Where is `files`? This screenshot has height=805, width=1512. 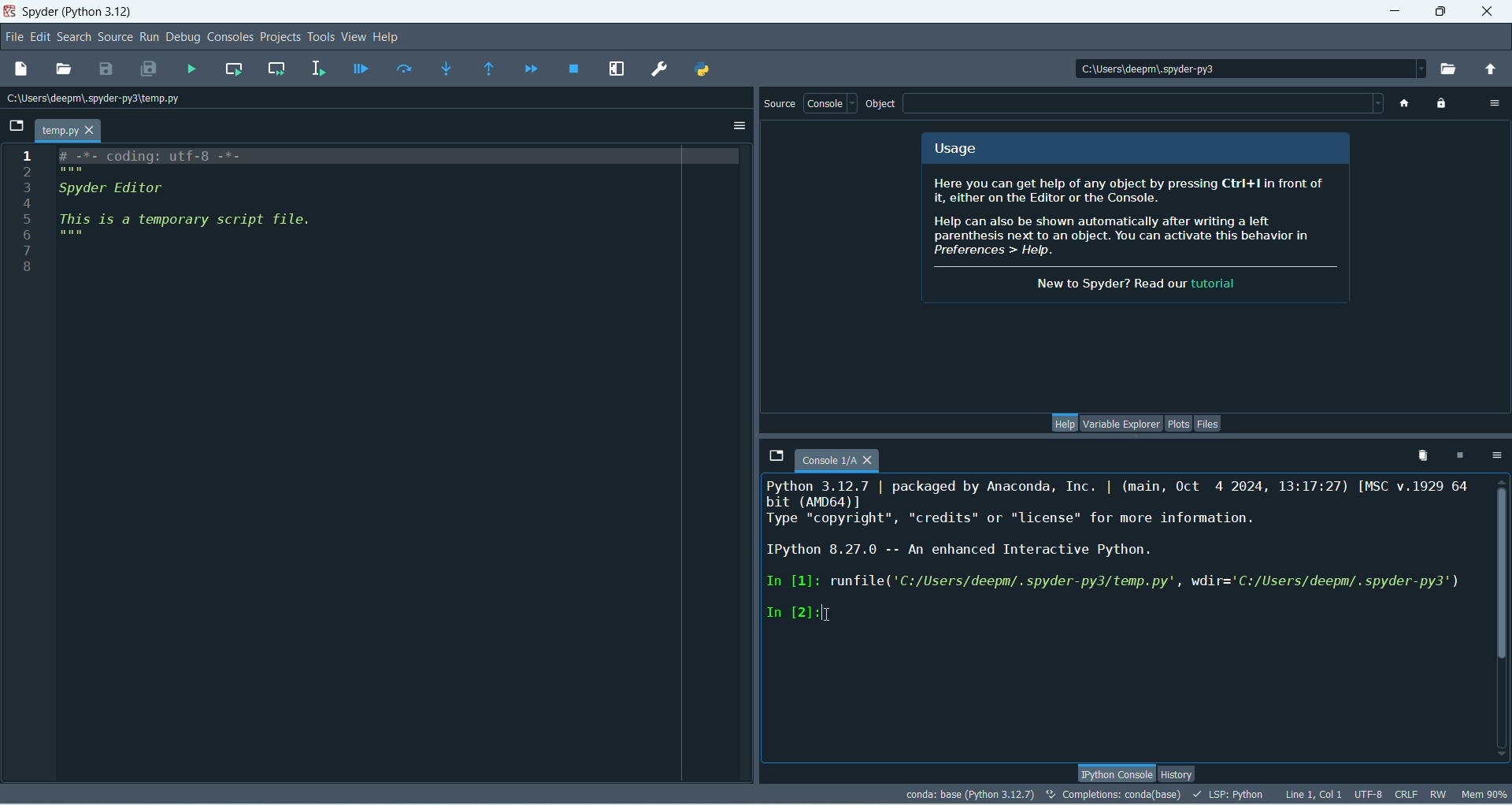
files is located at coordinates (1209, 423).